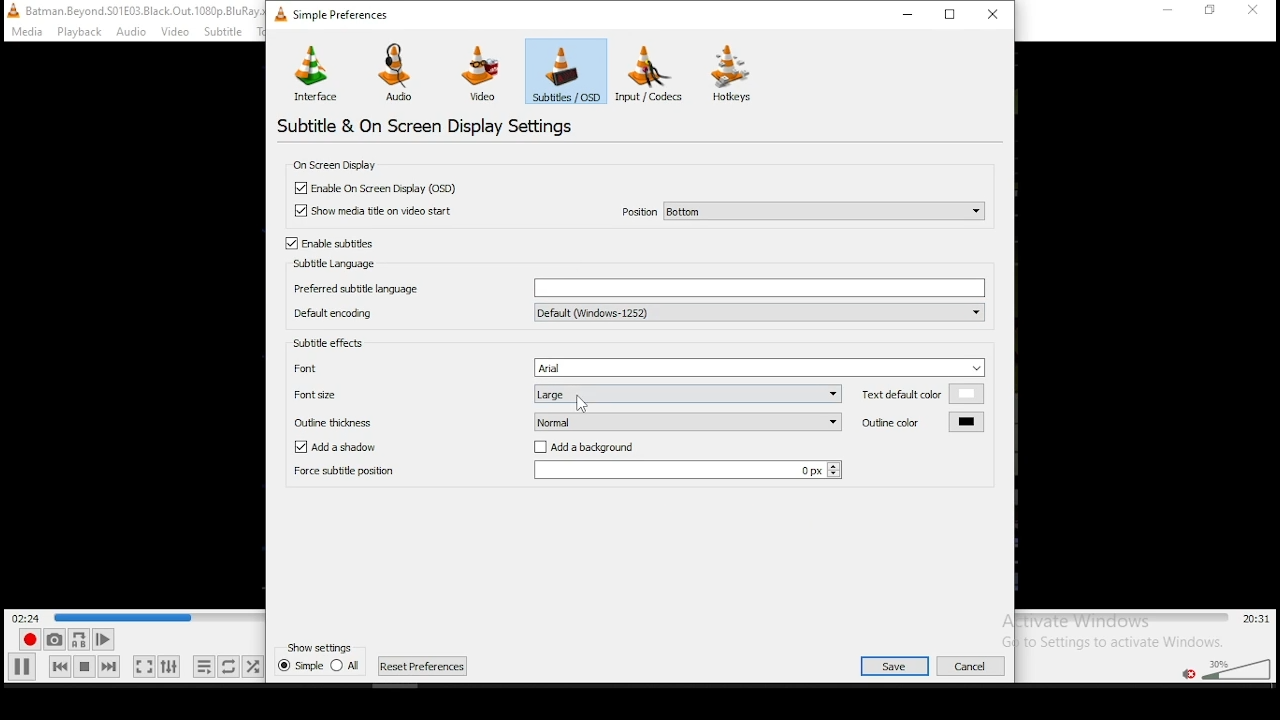  Describe the element at coordinates (21, 667) in the screenshot. I see `play/pause` at that location.